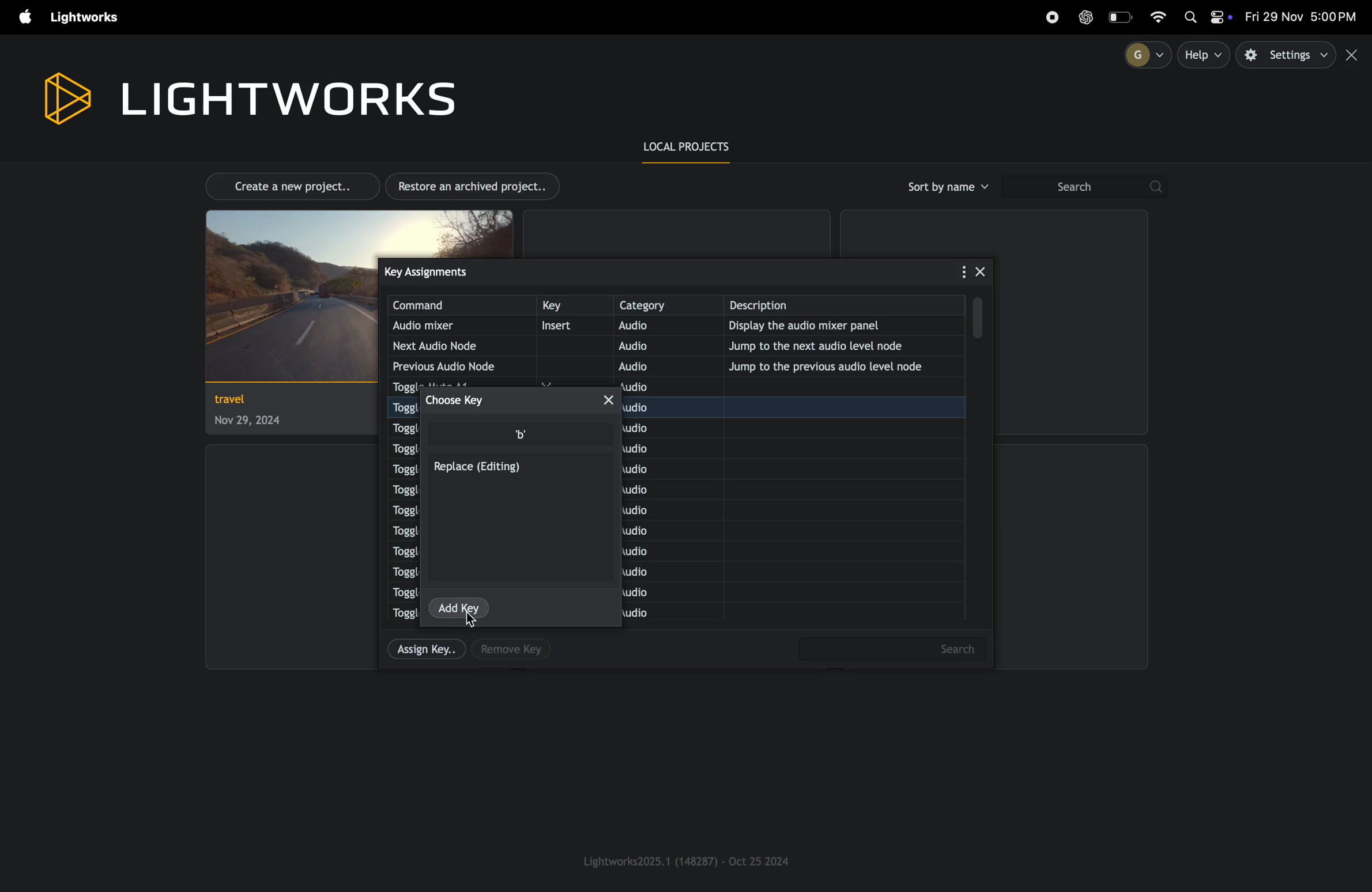 This screenshot has width=1372, height=892. What do you see at coordinates (480, 469) in the screenshot?
I see `replace editiing` at bounding box center [480, 469].